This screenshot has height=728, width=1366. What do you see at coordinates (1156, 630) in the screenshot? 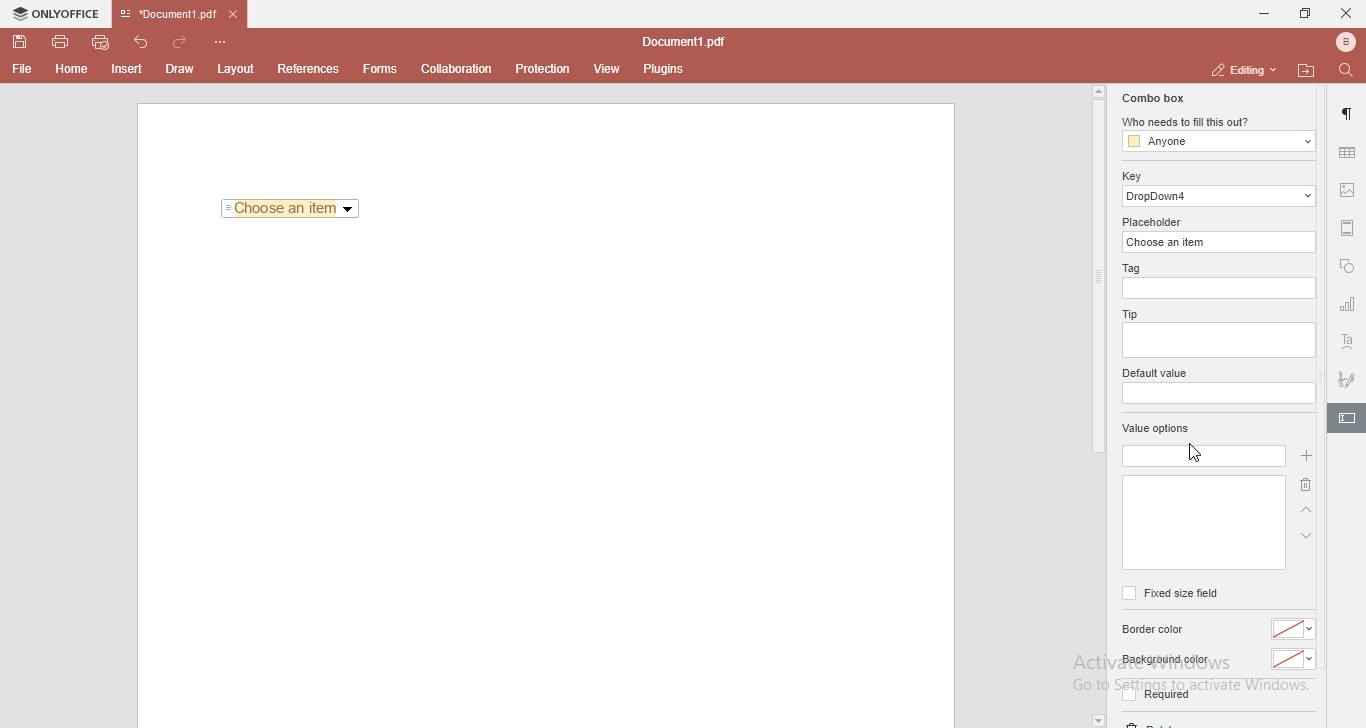
I see `border color` at bounding box center [1156, 630].